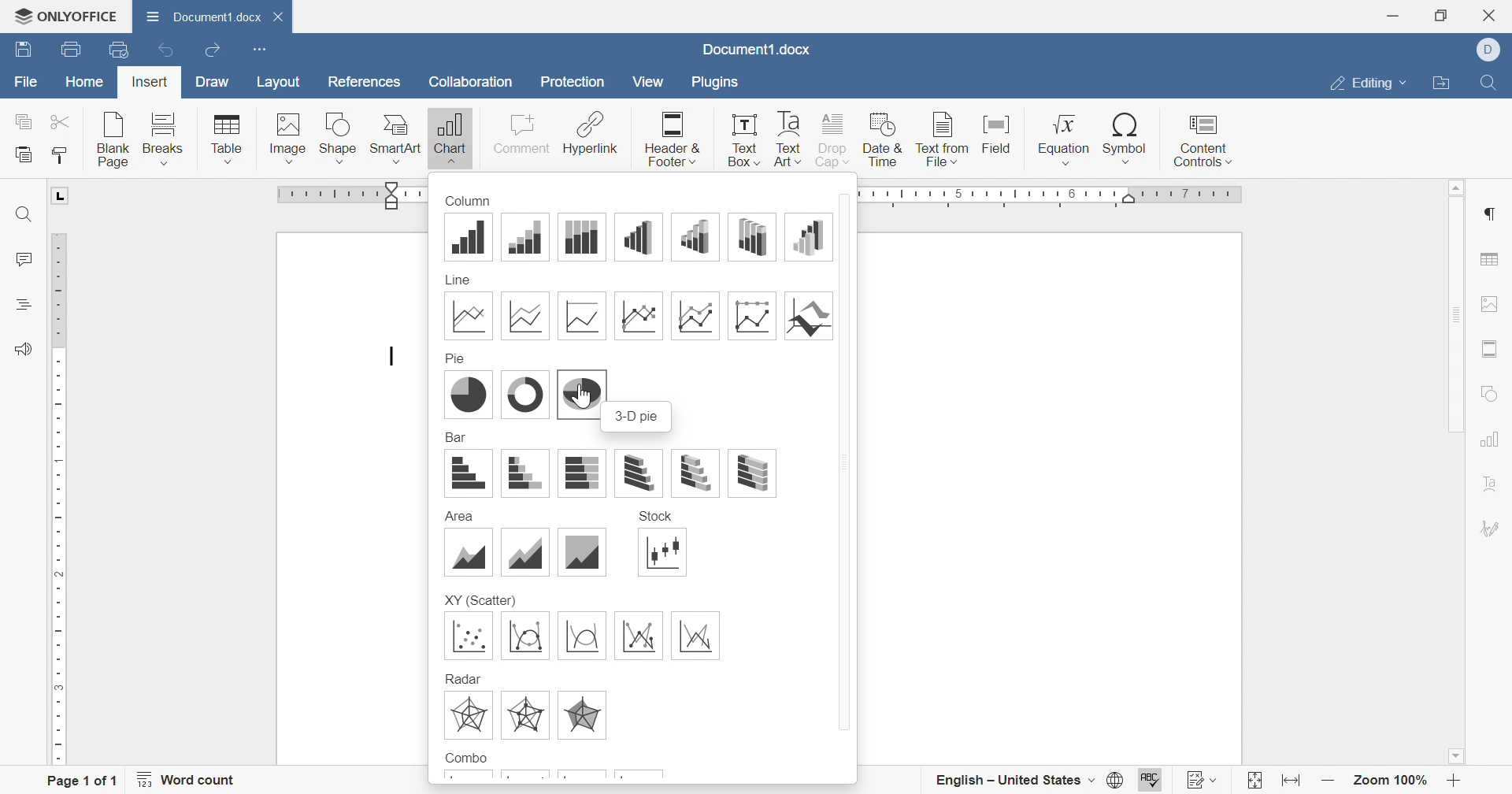 This screenshot has width=1512, height=794. I want to click on Doughnut, so click(524, 395).